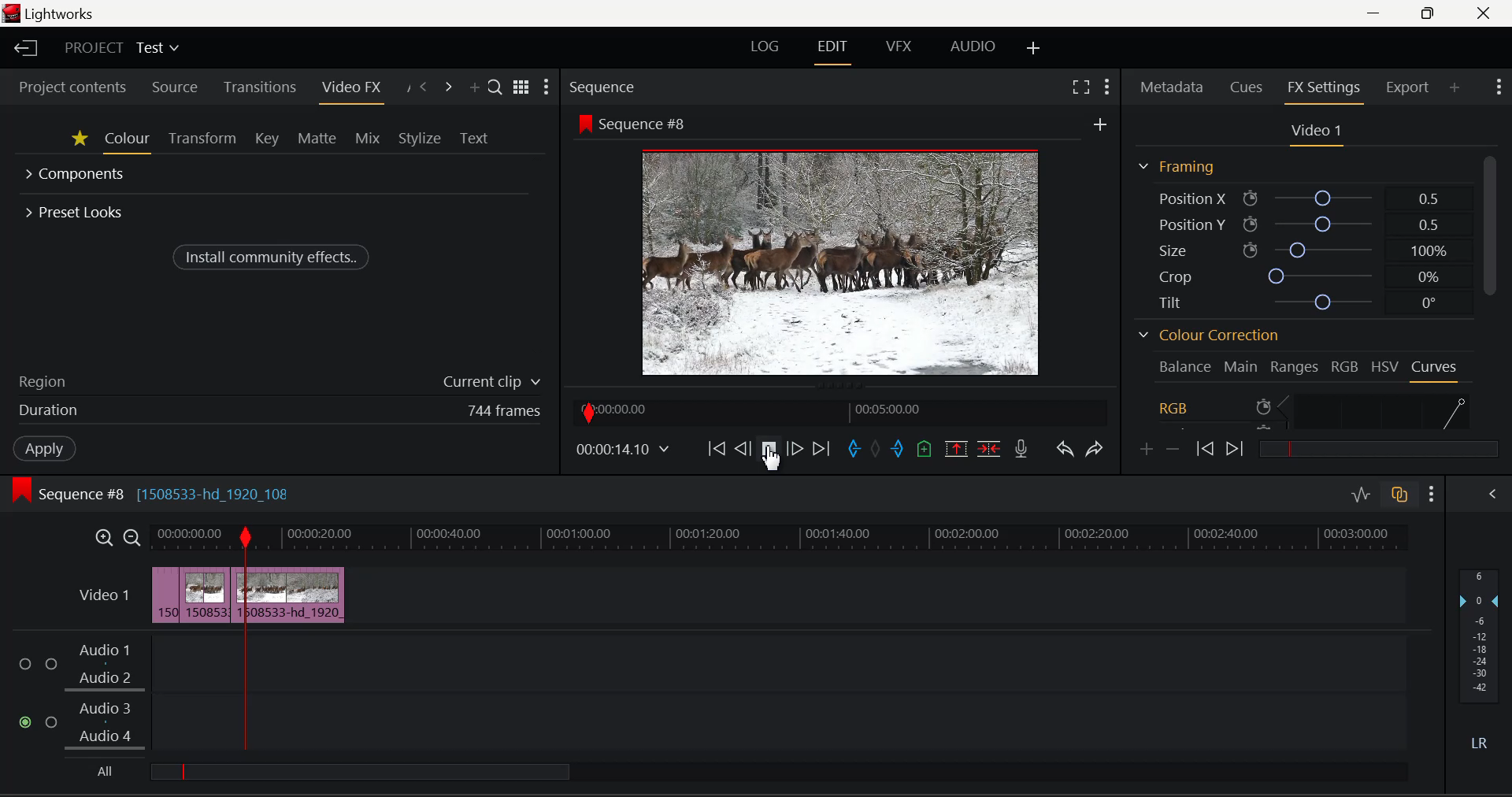 This screenshot has width=1512, height=797. I want to click on Sequence #8, so click(636, 123).